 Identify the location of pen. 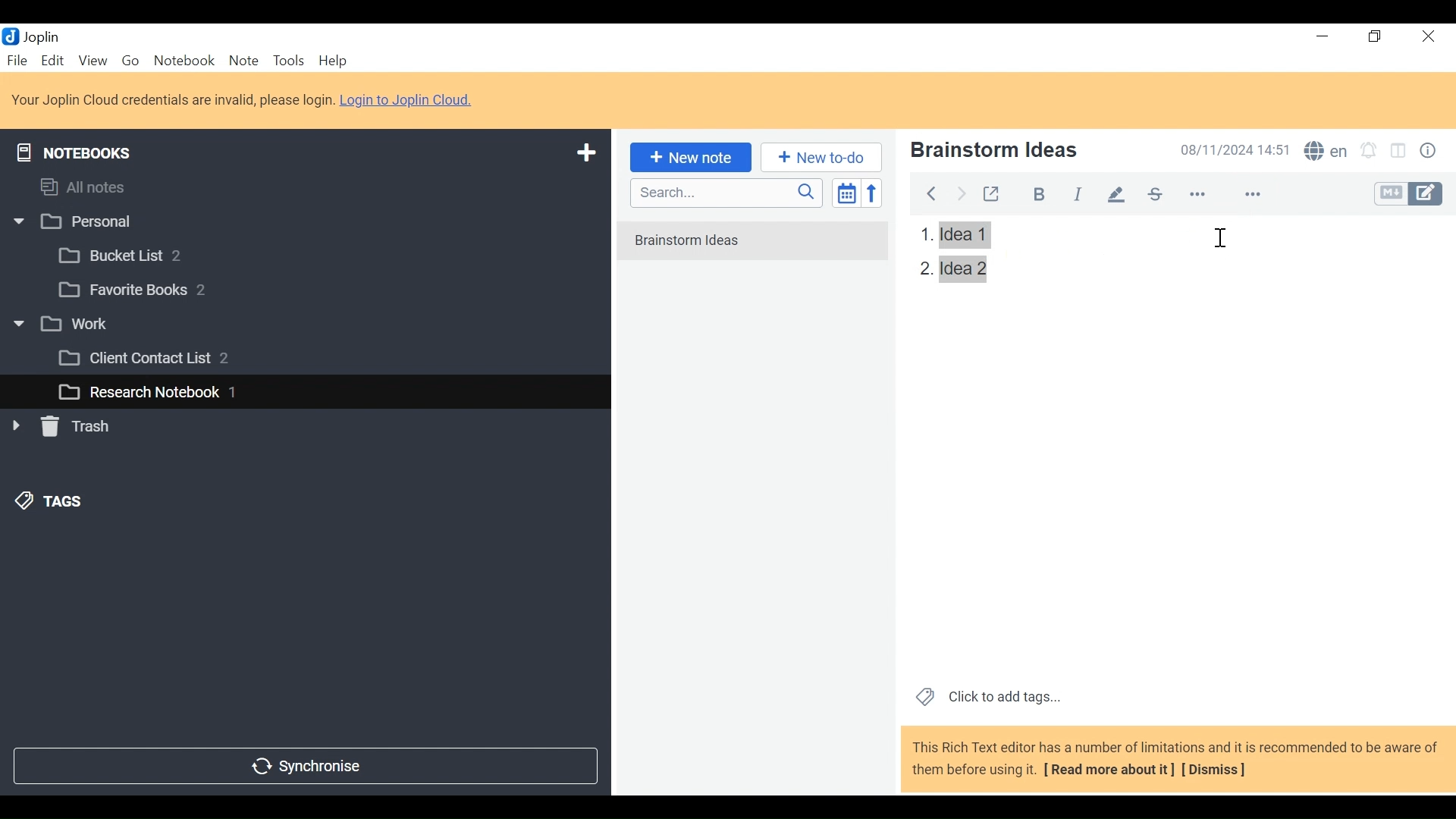
(1117, 190).